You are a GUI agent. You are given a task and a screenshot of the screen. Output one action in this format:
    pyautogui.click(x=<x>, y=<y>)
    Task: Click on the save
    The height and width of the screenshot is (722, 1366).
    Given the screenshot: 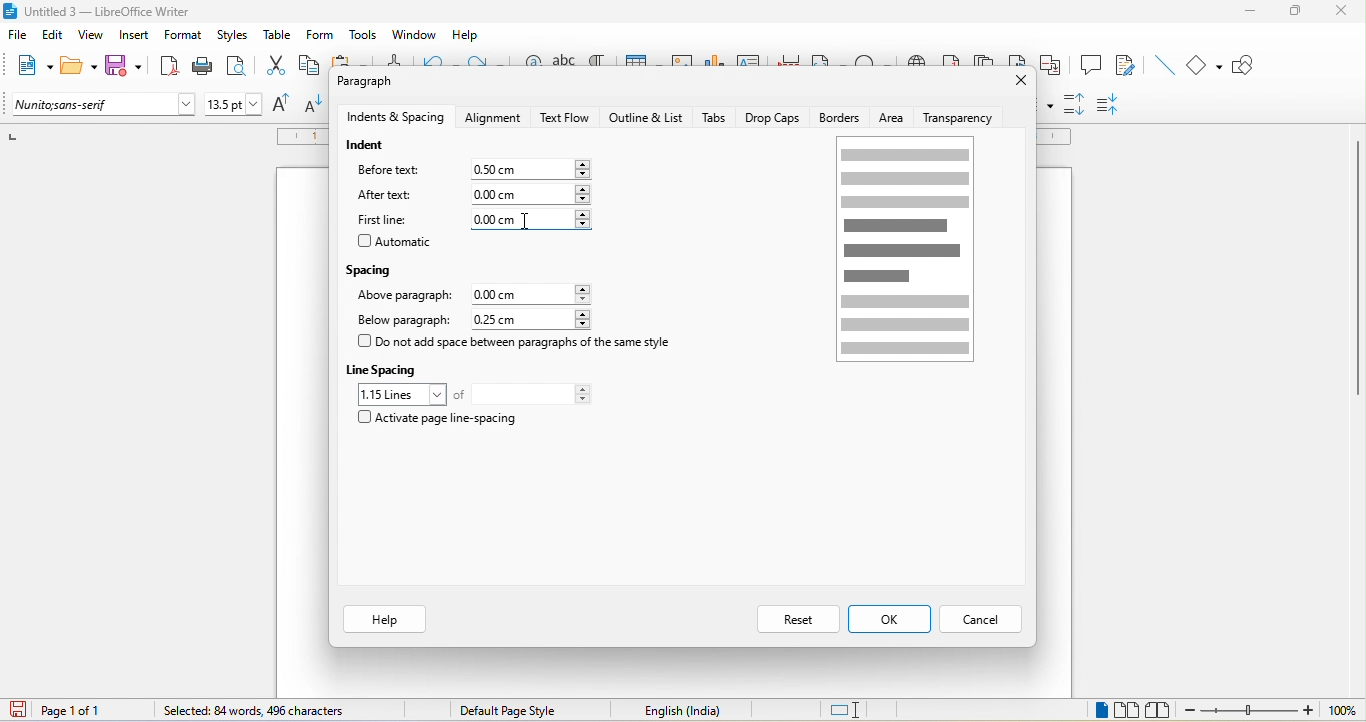 What is the action you would take?
    pyautogui.click(x=125, y=66)
    